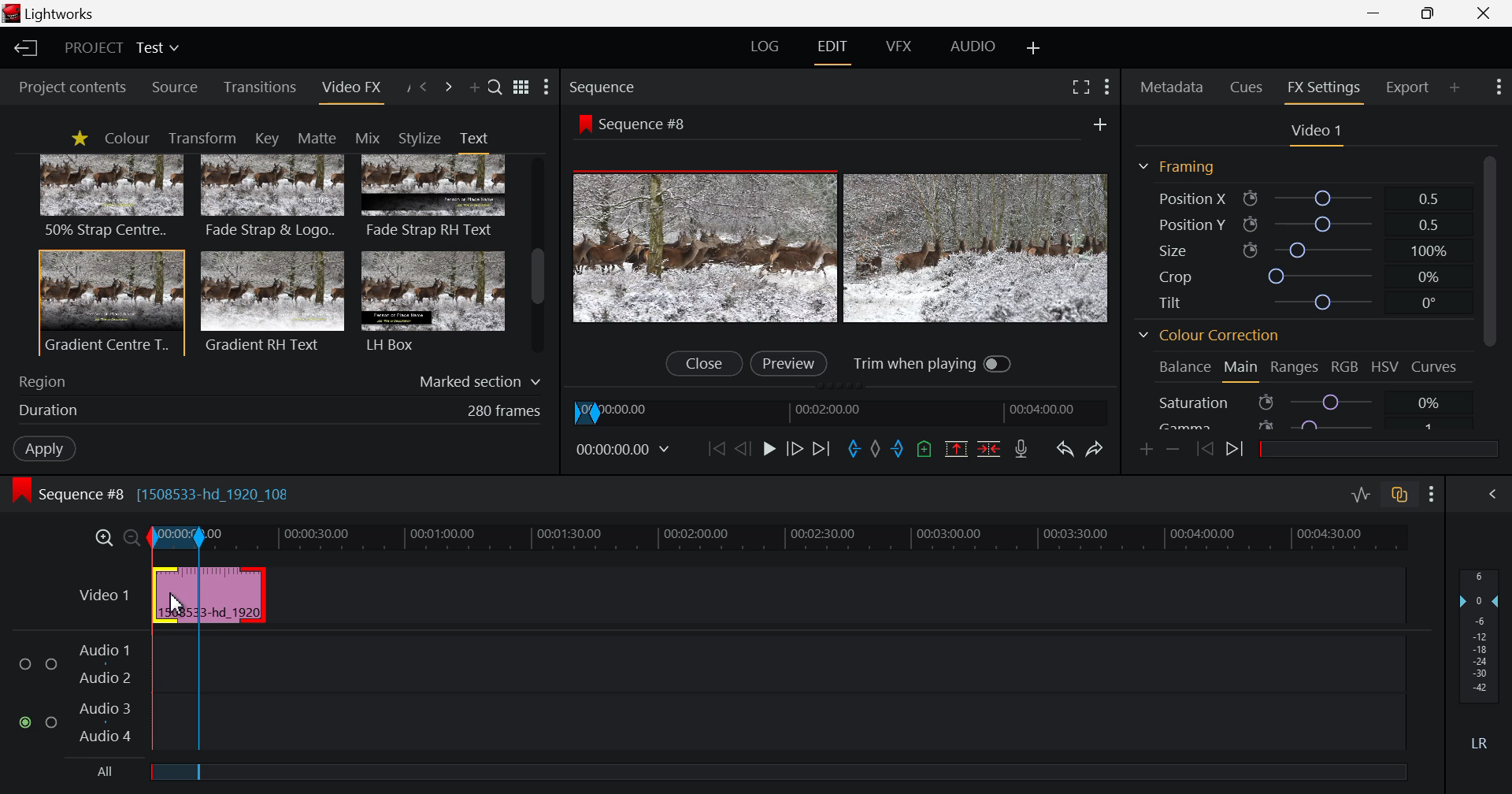 Image resolution: width=1512 pixels, height=794 pixels. What do you see at coordinates (788, 362) in the screenshot?
I see `Preview` at bounding box center [788, 362].